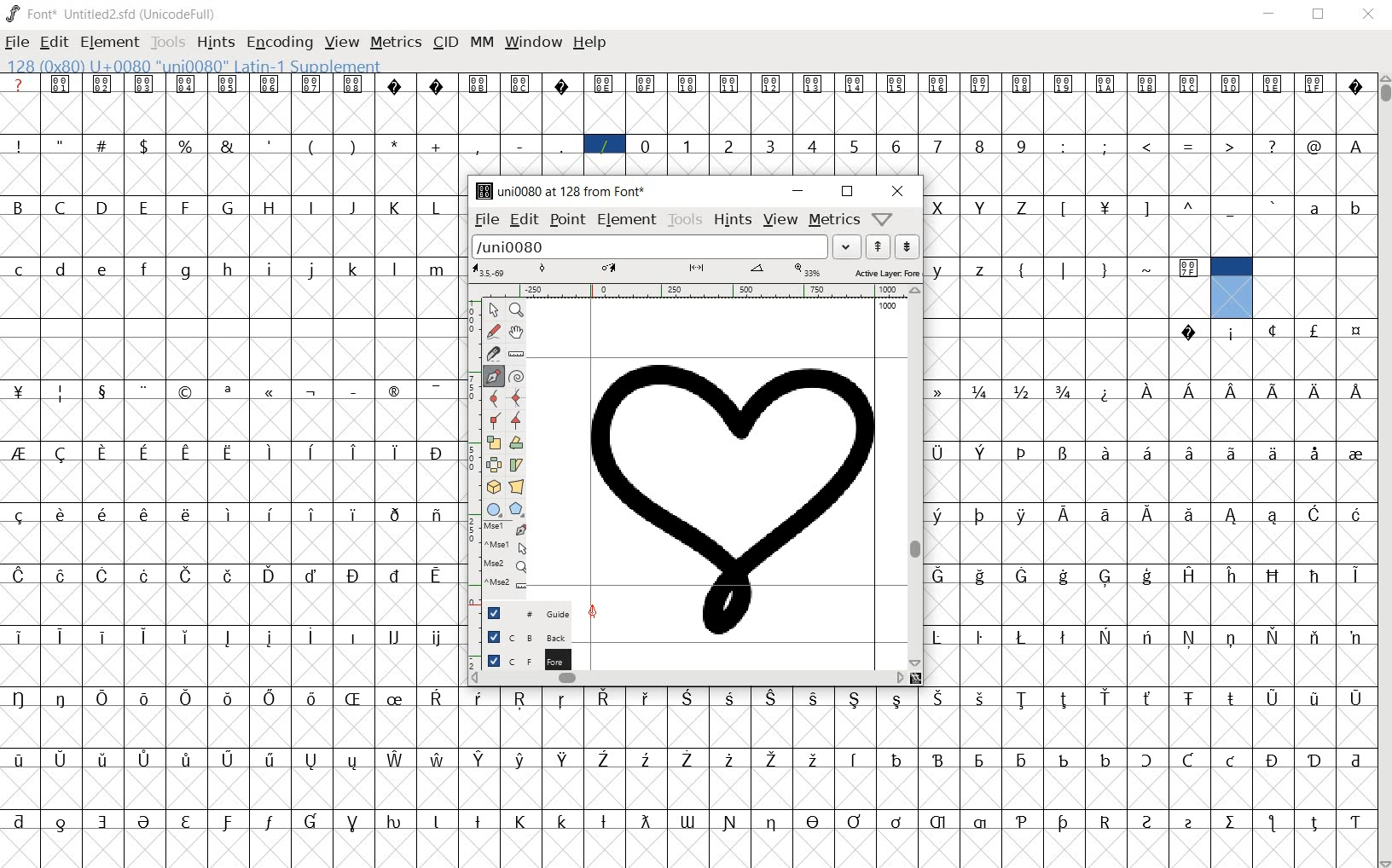  Describe the element at coordinates (104, 759) in the screenshot. I see `glyph` at that location.